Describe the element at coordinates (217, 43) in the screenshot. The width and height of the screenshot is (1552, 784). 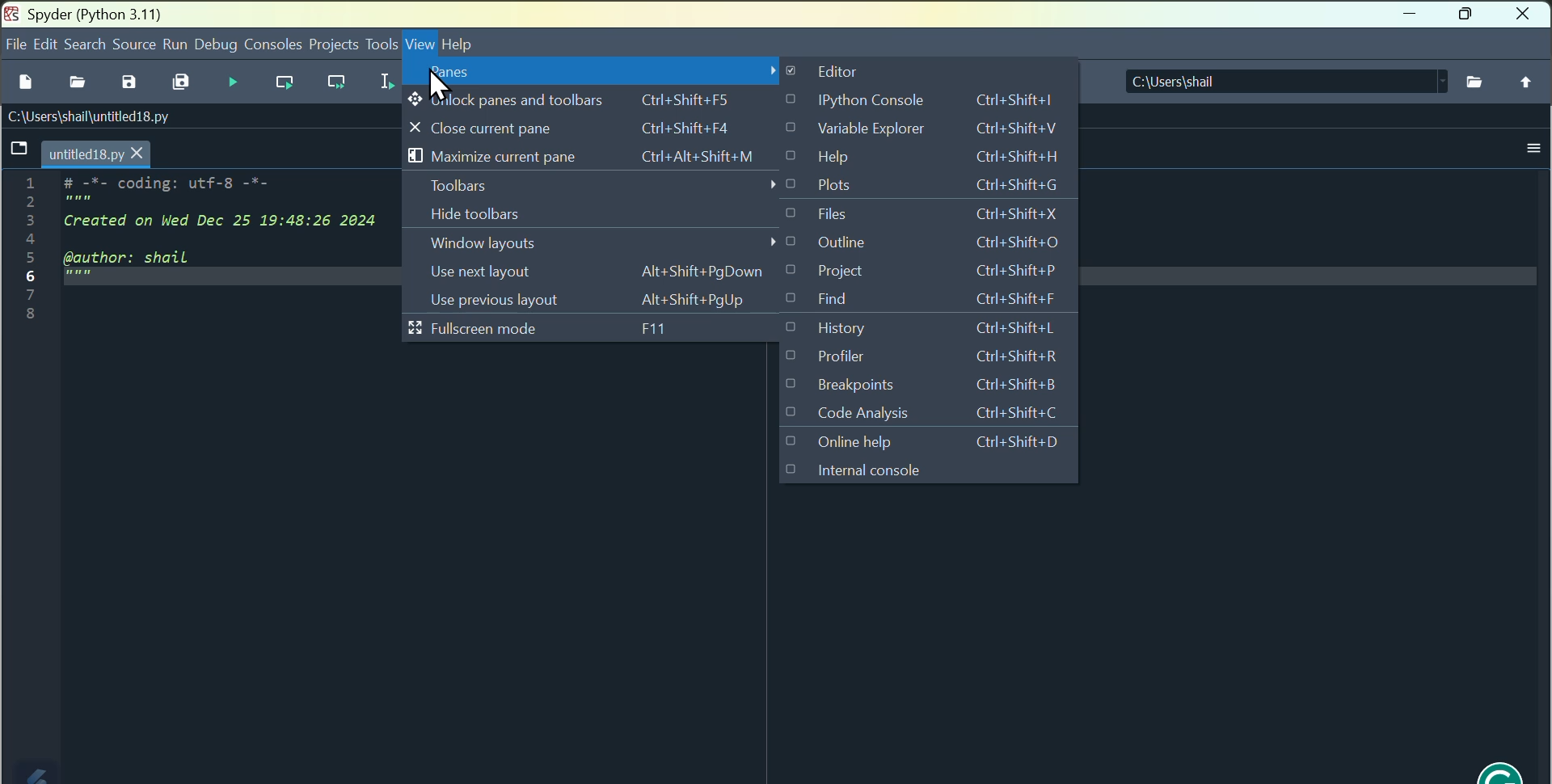
I see `Debug` at that location.